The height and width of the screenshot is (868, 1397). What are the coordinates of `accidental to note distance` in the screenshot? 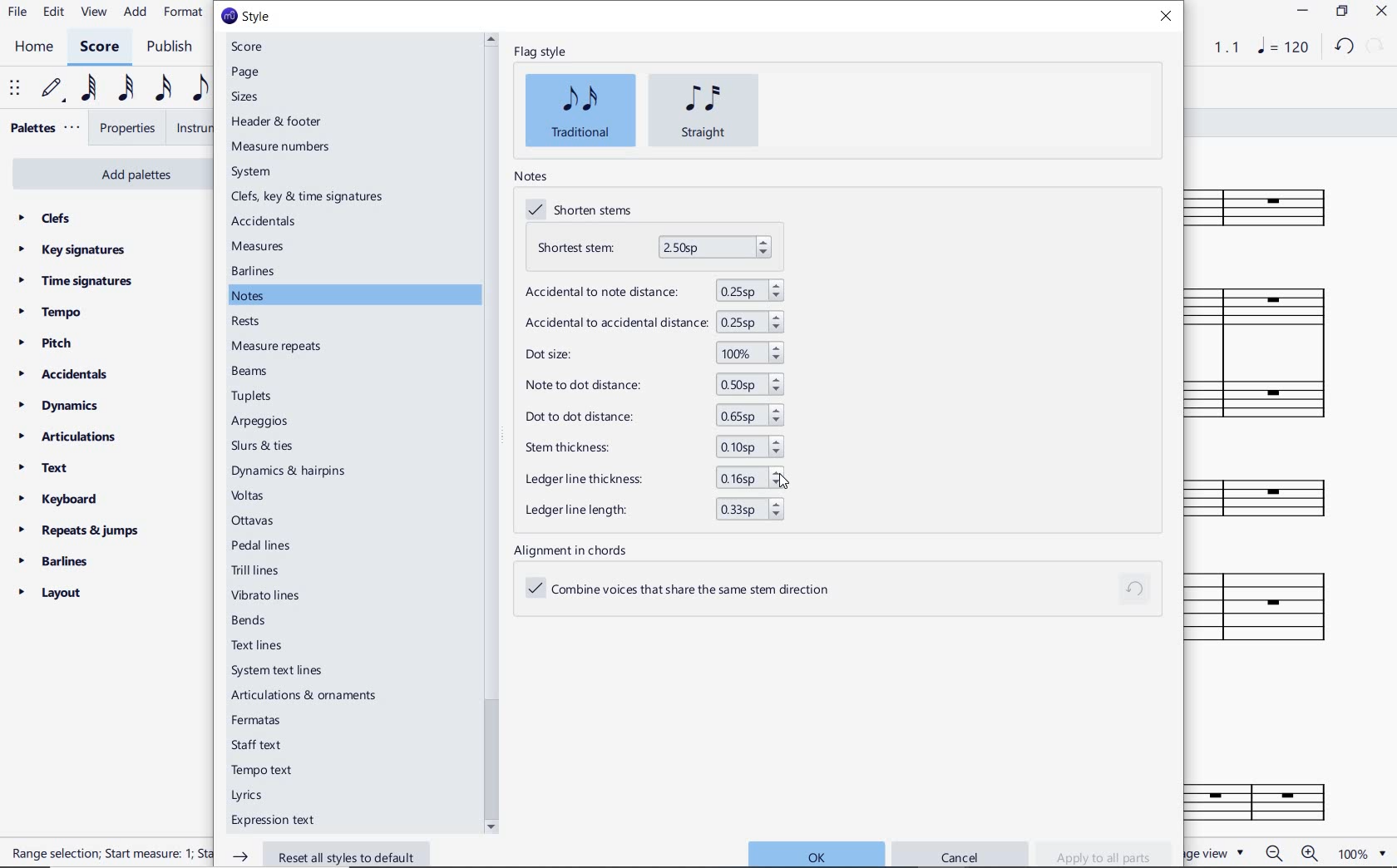 It's located at (650, 289).